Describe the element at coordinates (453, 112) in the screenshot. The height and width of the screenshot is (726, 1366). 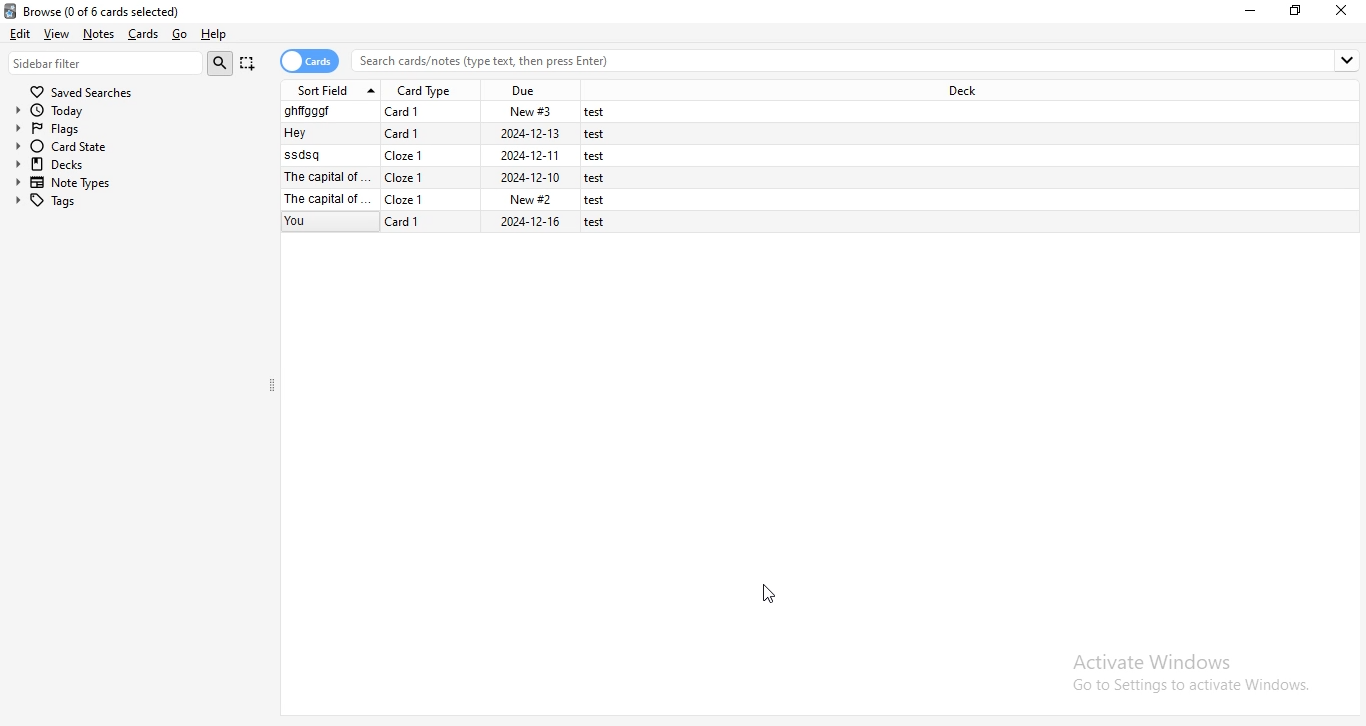
I see `File` at that location.